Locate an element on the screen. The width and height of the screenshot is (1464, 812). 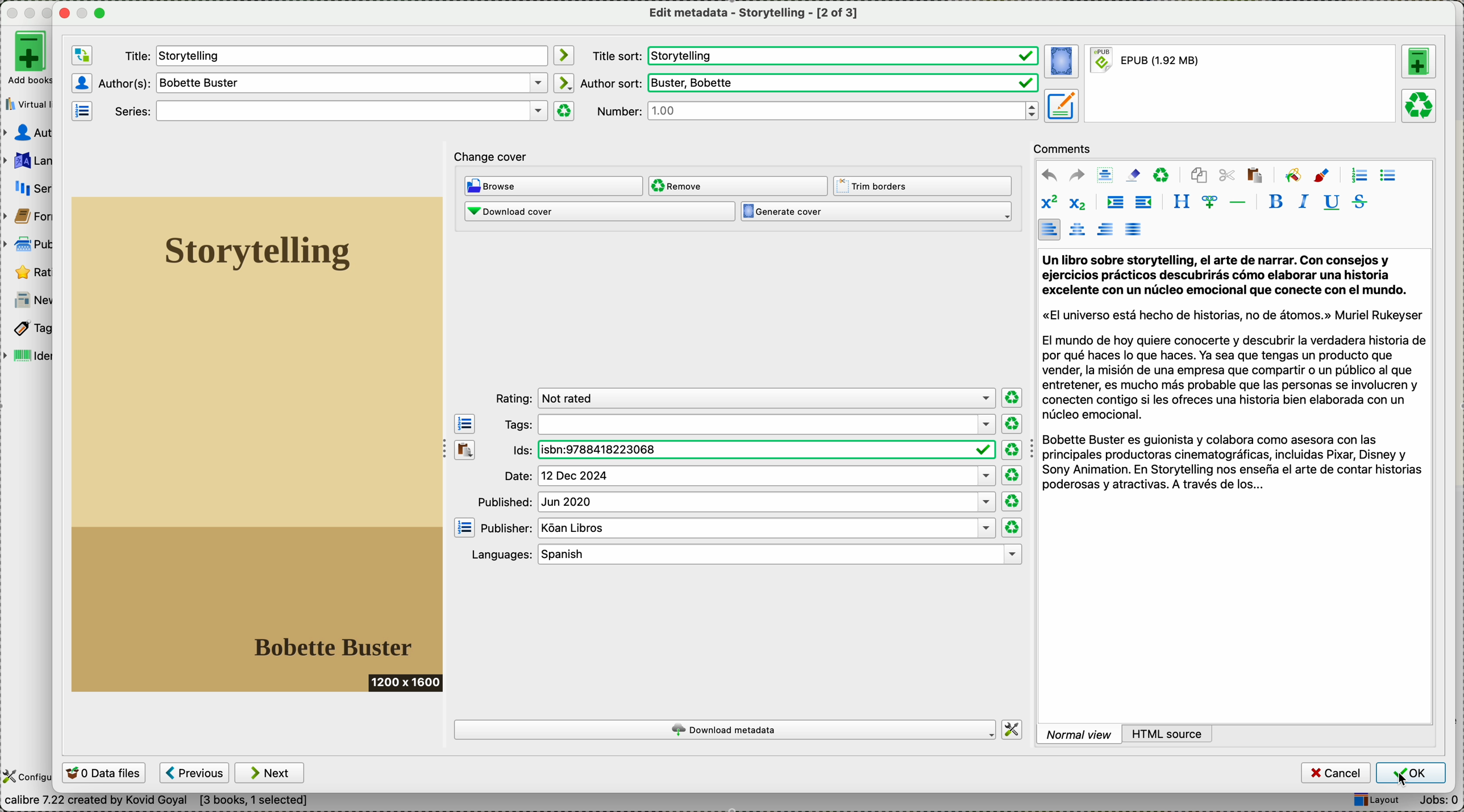
set metadata for the book is located at coordinates (1060, 106).